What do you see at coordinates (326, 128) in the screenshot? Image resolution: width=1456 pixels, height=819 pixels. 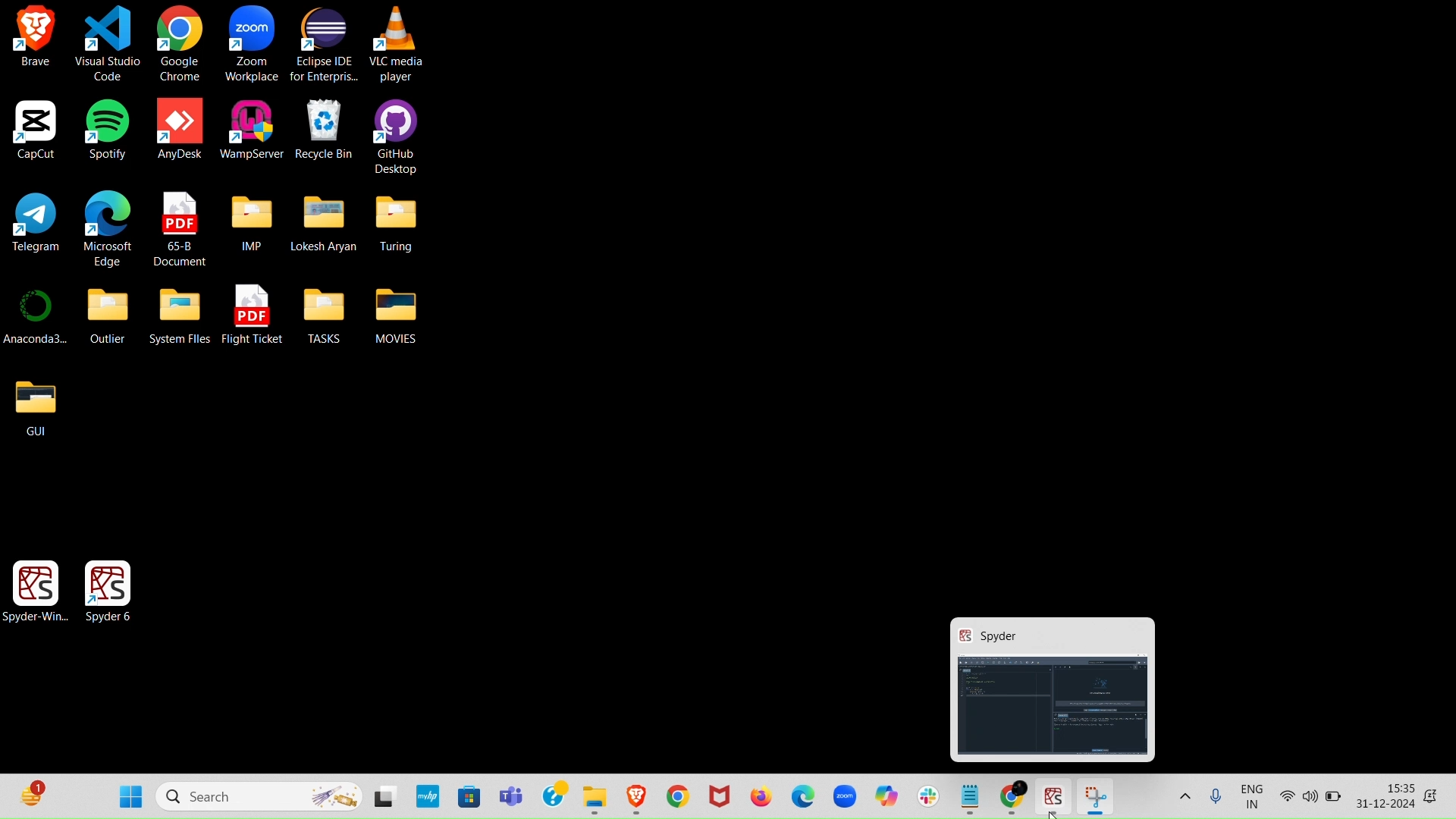 I see `Recycle Bin` at bounding box center [326, 128].